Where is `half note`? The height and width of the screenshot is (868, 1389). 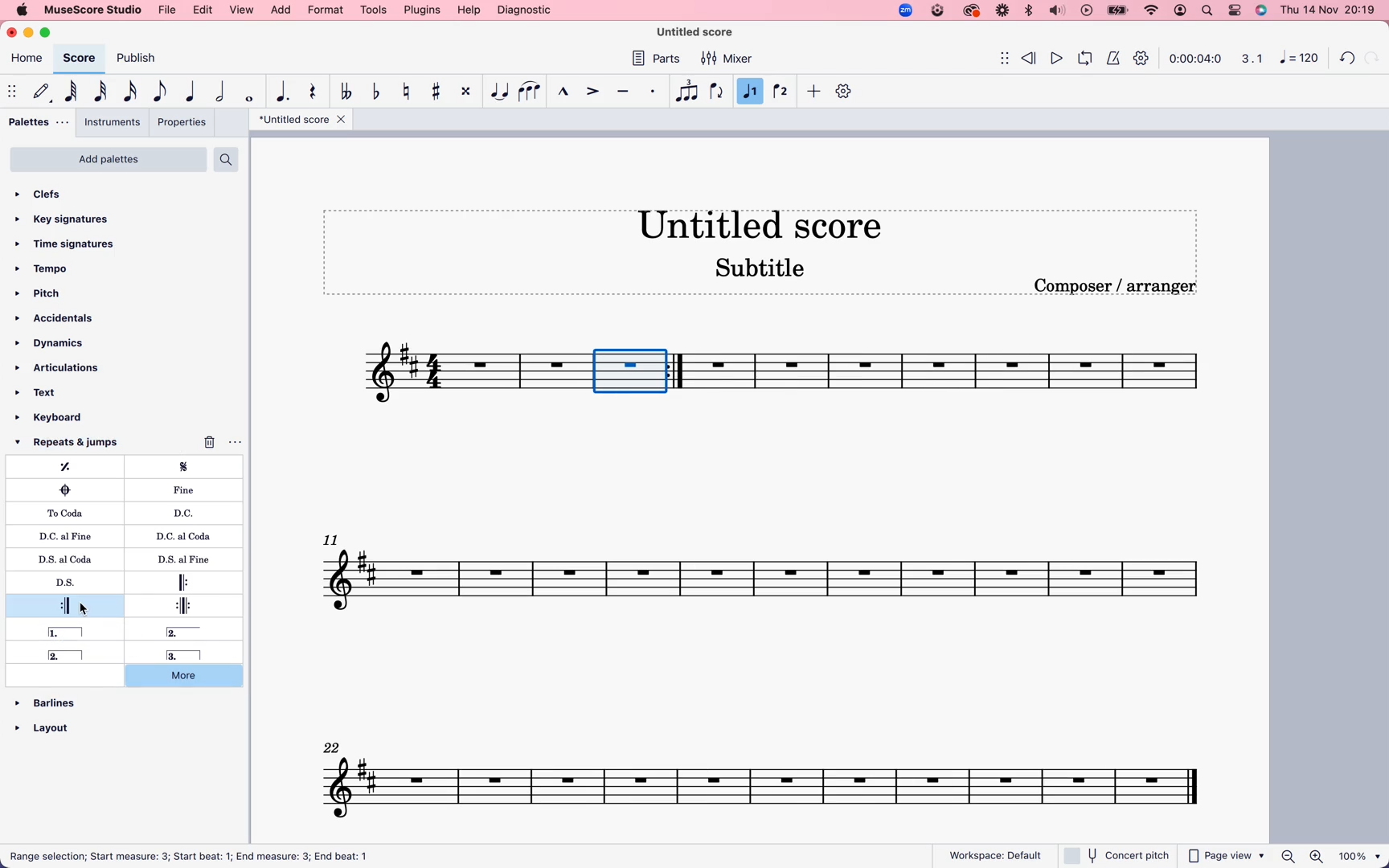 half note is located at coordinates (223, 91).